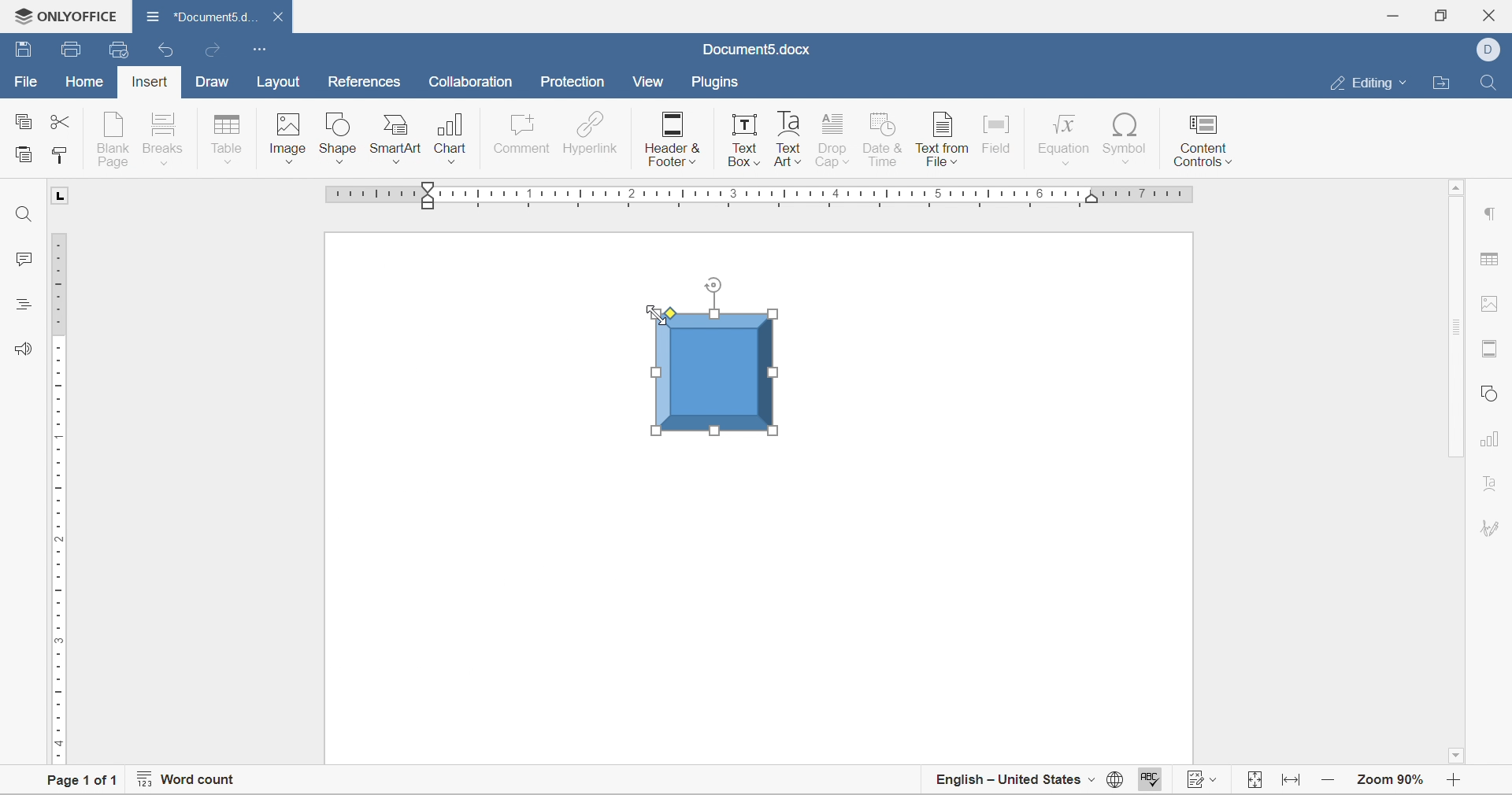 This screenshot has width=1512, height=795. What do you see at coordinates (1492, 15) in the screenshot?
I see `close` at bounding box center [1492, 15].